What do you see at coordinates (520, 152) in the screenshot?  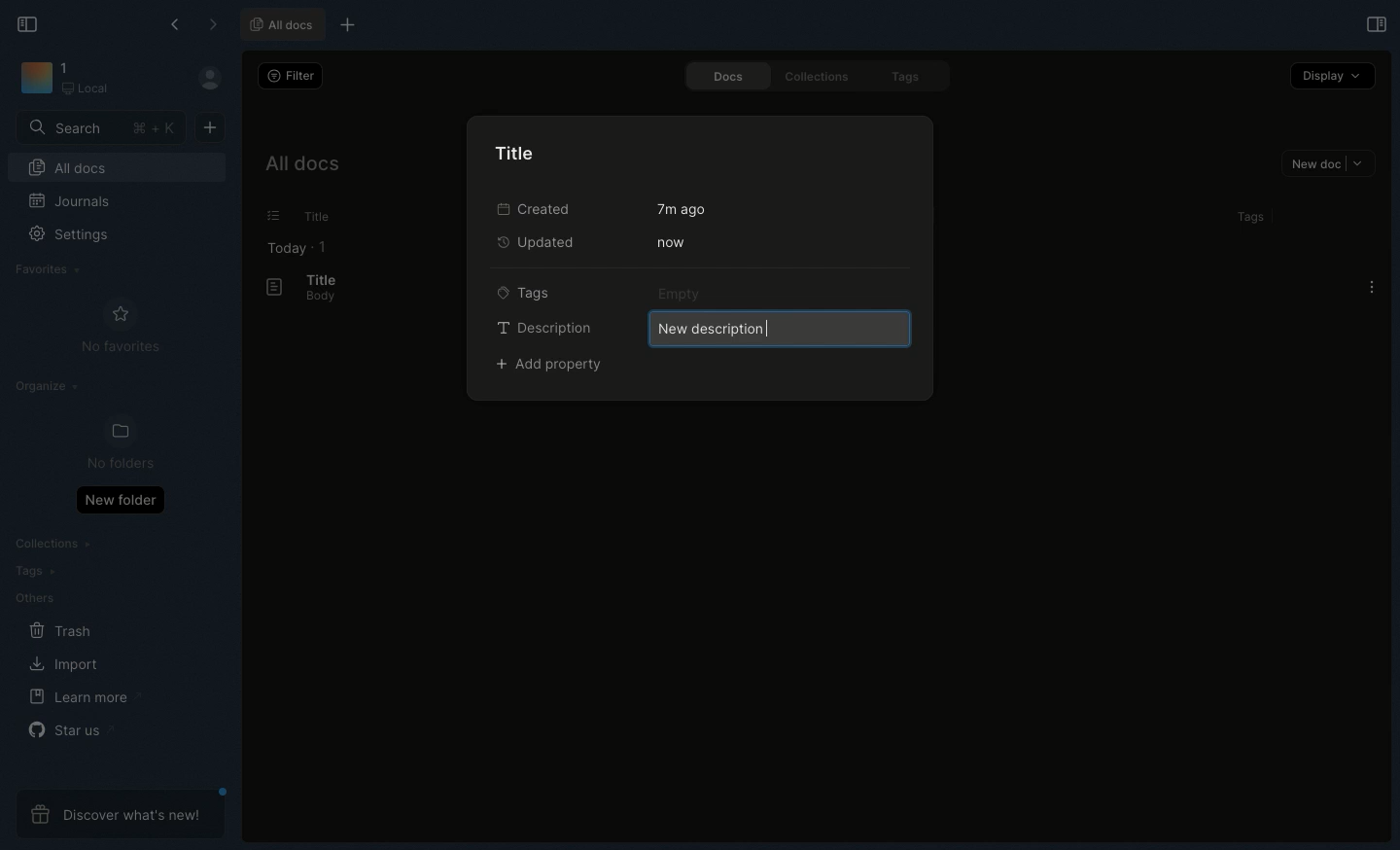 I see `Title` at bounding box center [520, 152].